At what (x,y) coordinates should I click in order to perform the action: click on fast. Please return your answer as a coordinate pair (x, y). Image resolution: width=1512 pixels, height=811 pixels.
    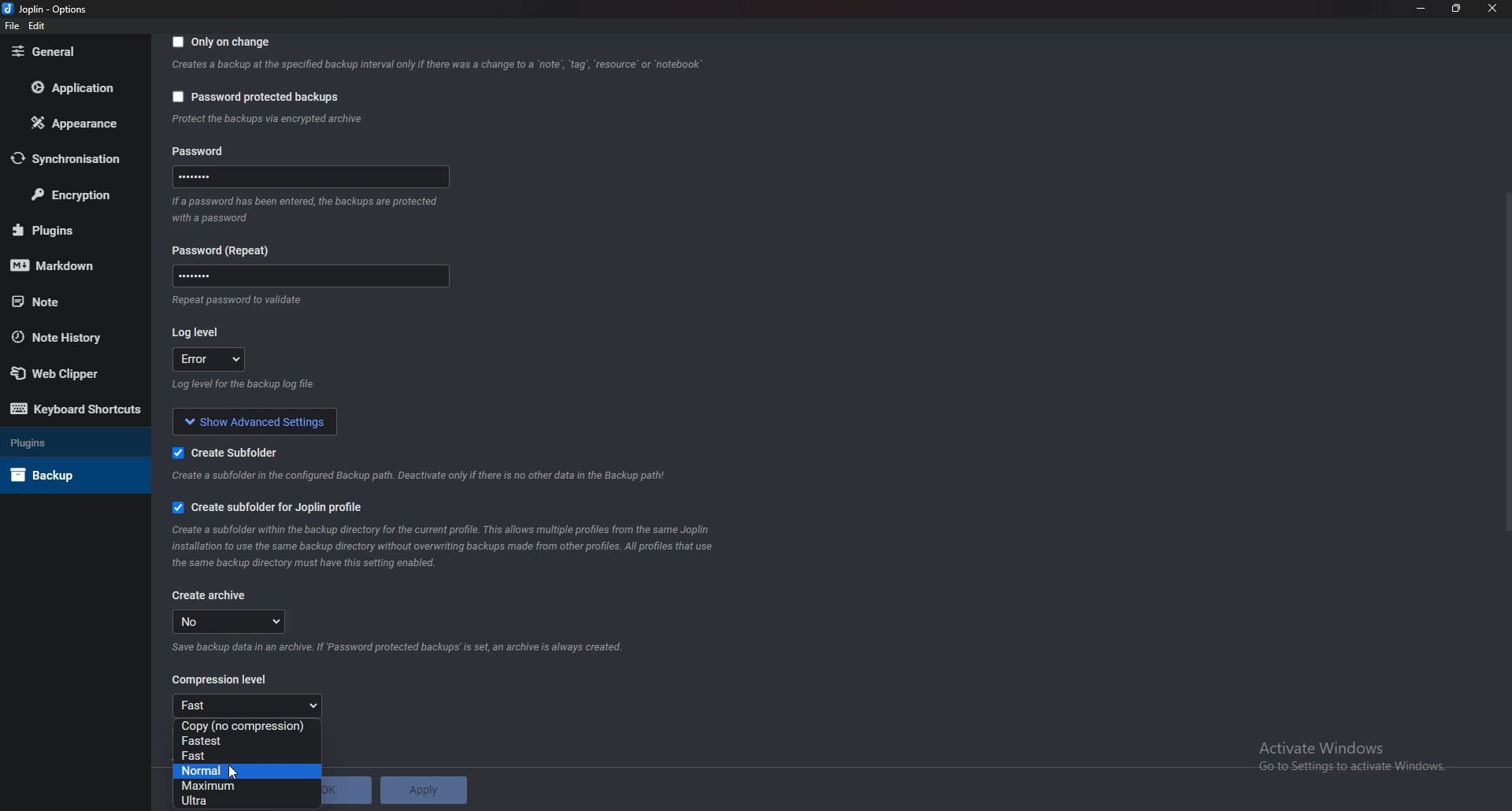
    Looking at the image, I should click on (249, 705).